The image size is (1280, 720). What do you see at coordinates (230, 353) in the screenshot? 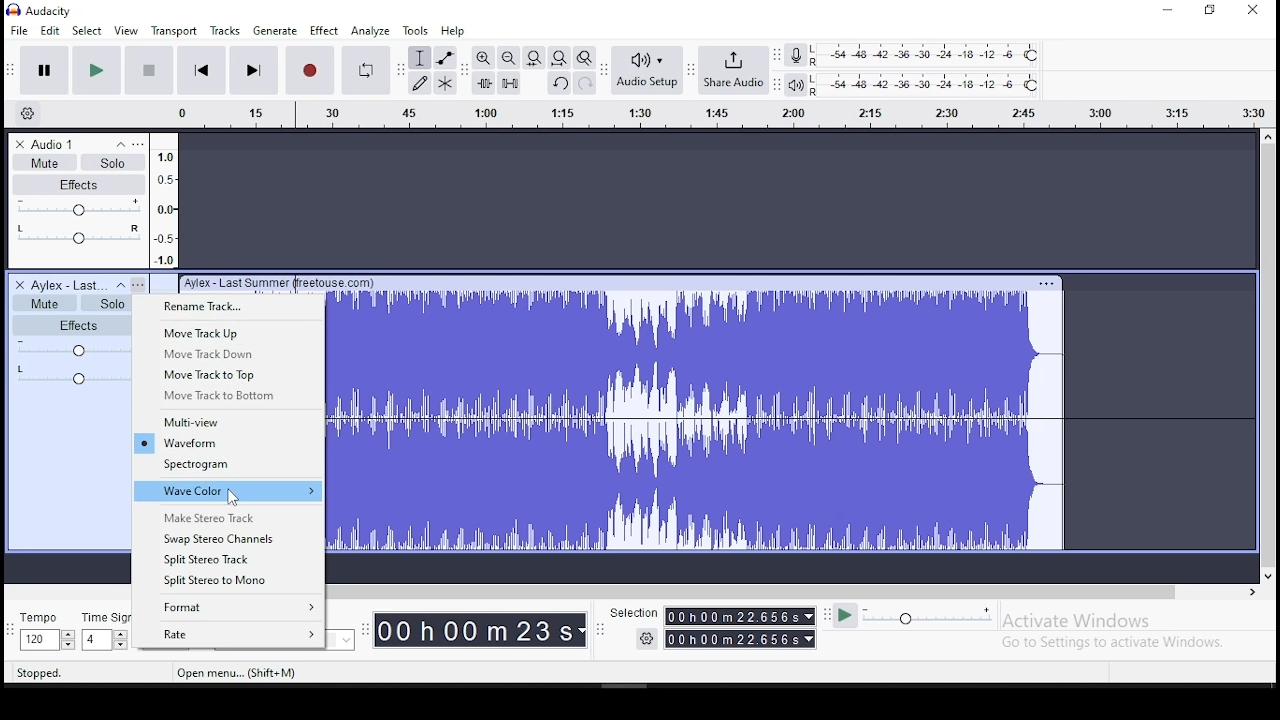
I see `move track down` at bounding box center [230, 353].